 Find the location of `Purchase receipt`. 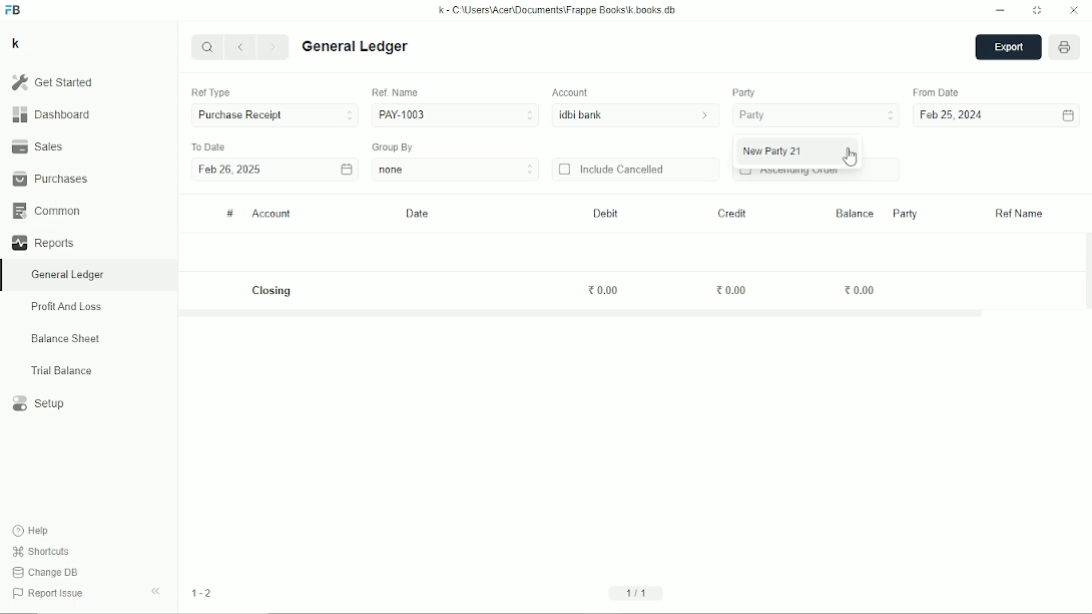

Purchase receipt is located at coordinates (274, 116).